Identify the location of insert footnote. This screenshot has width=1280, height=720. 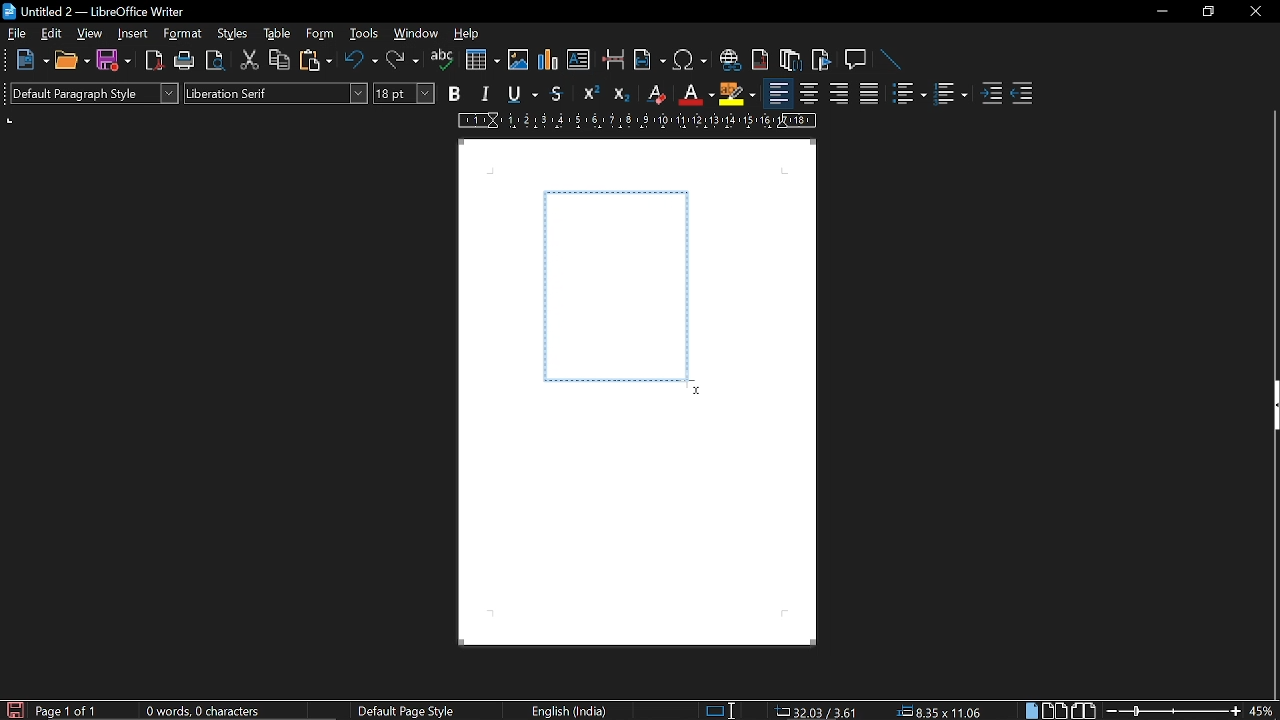
(761, 61).